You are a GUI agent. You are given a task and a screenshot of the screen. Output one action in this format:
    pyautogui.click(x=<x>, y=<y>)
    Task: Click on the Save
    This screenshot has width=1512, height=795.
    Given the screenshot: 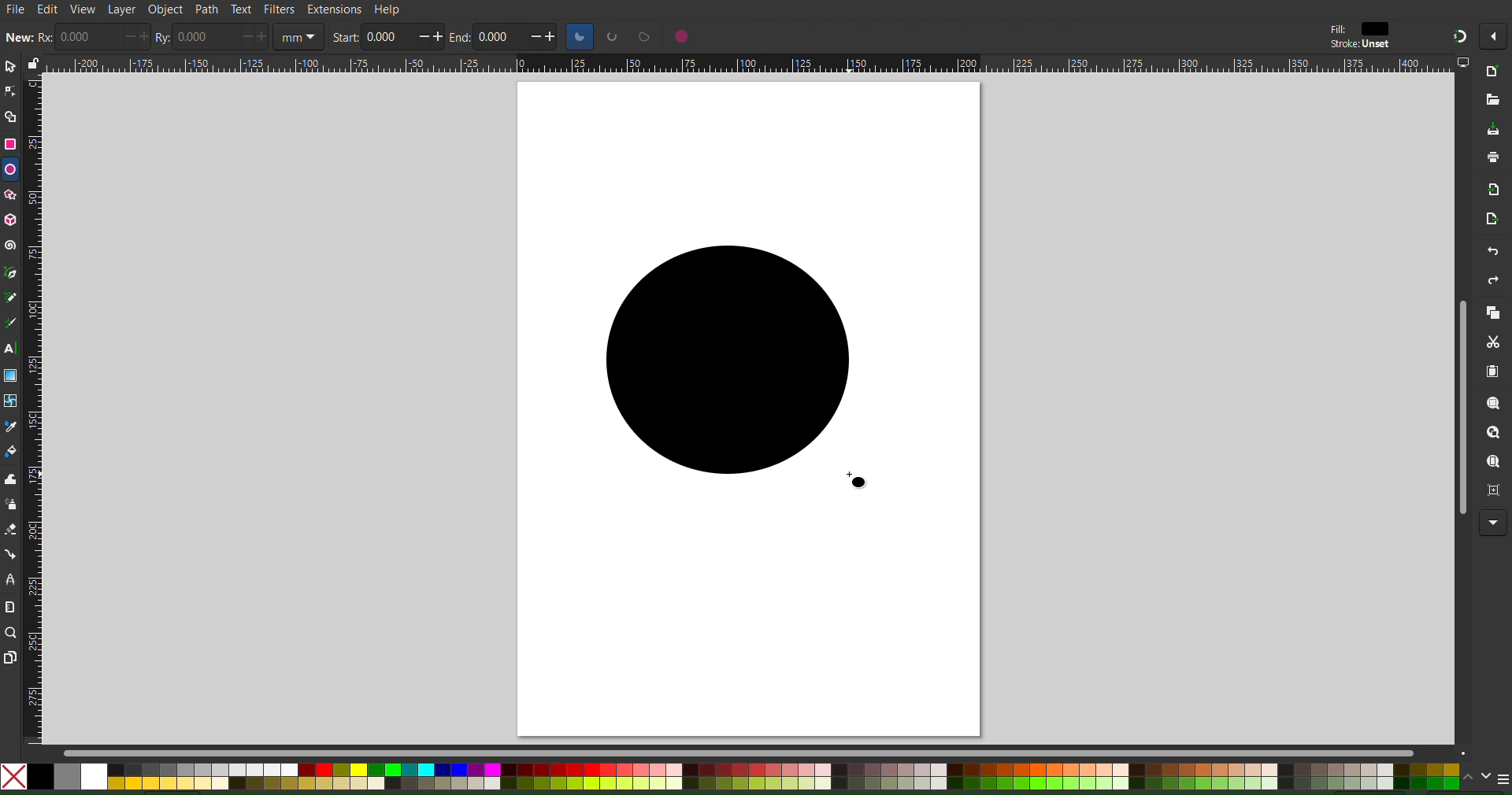 What is the action you would take?
    pyautogui.click(x=1492, y=126)
    